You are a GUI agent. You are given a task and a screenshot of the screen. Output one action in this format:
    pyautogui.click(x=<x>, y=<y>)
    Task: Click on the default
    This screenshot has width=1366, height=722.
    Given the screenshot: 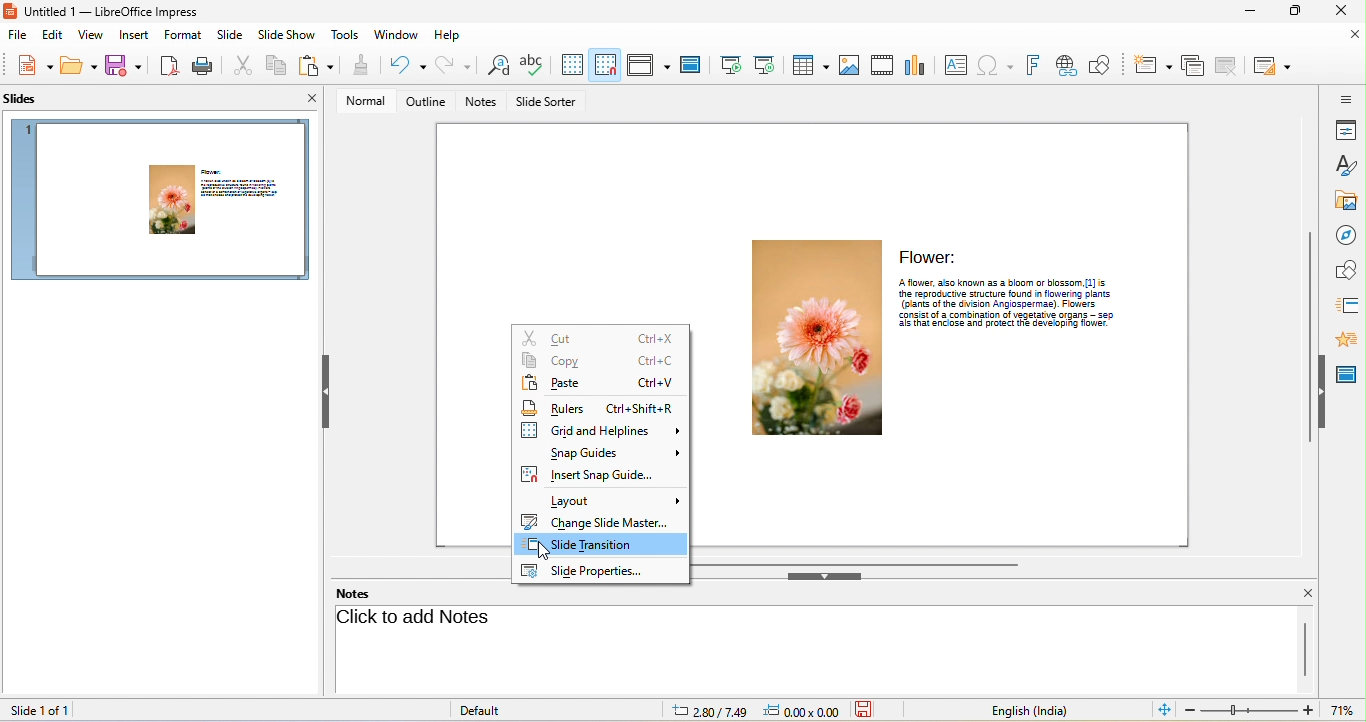 What is the action you would take?
    pyautogui.click(x=509, y=711)
    